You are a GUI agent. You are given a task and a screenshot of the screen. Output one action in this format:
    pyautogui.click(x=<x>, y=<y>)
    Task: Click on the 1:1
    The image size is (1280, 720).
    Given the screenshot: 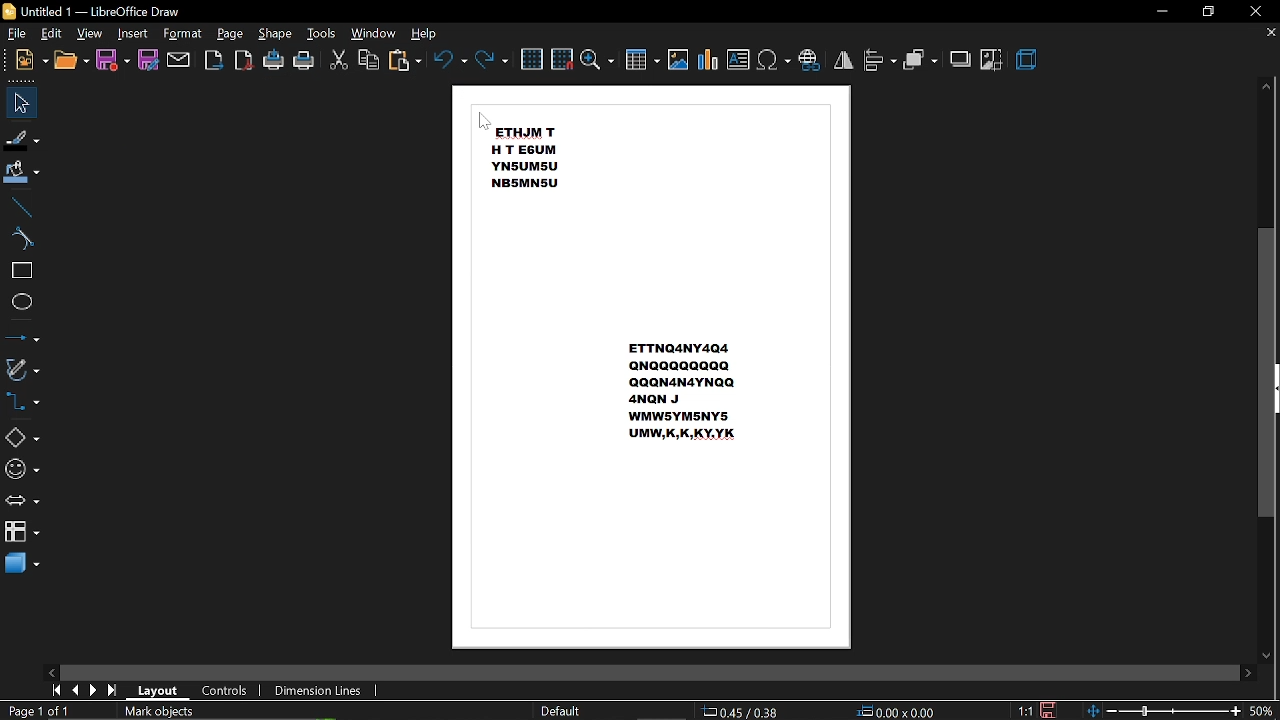 What is the action you would take?
    pyautogui.click(x=1023, y=710)
    